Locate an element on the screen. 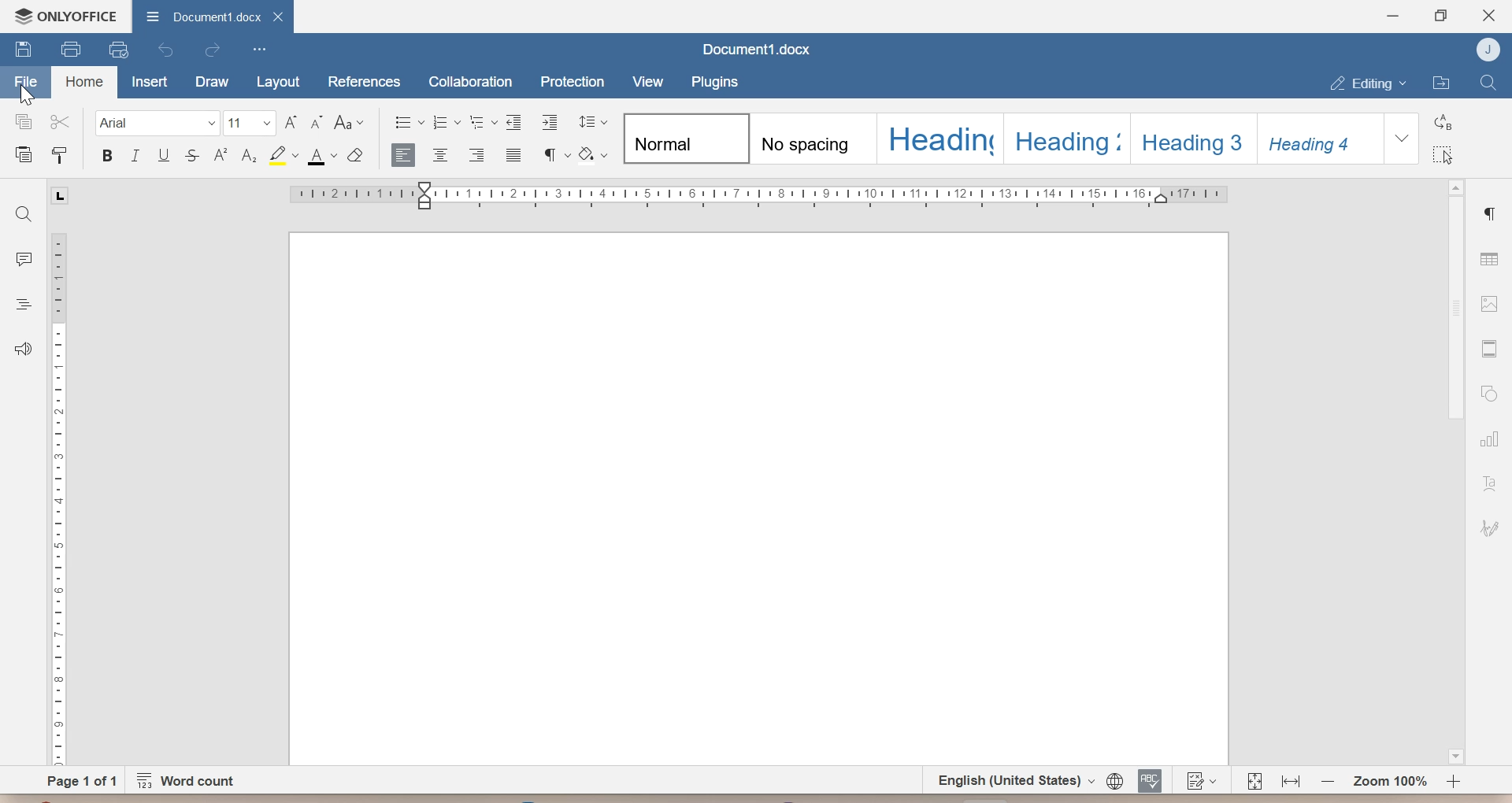 This screenshot has height=803, width=1512. Select all is located at coordinates (1443, 154).